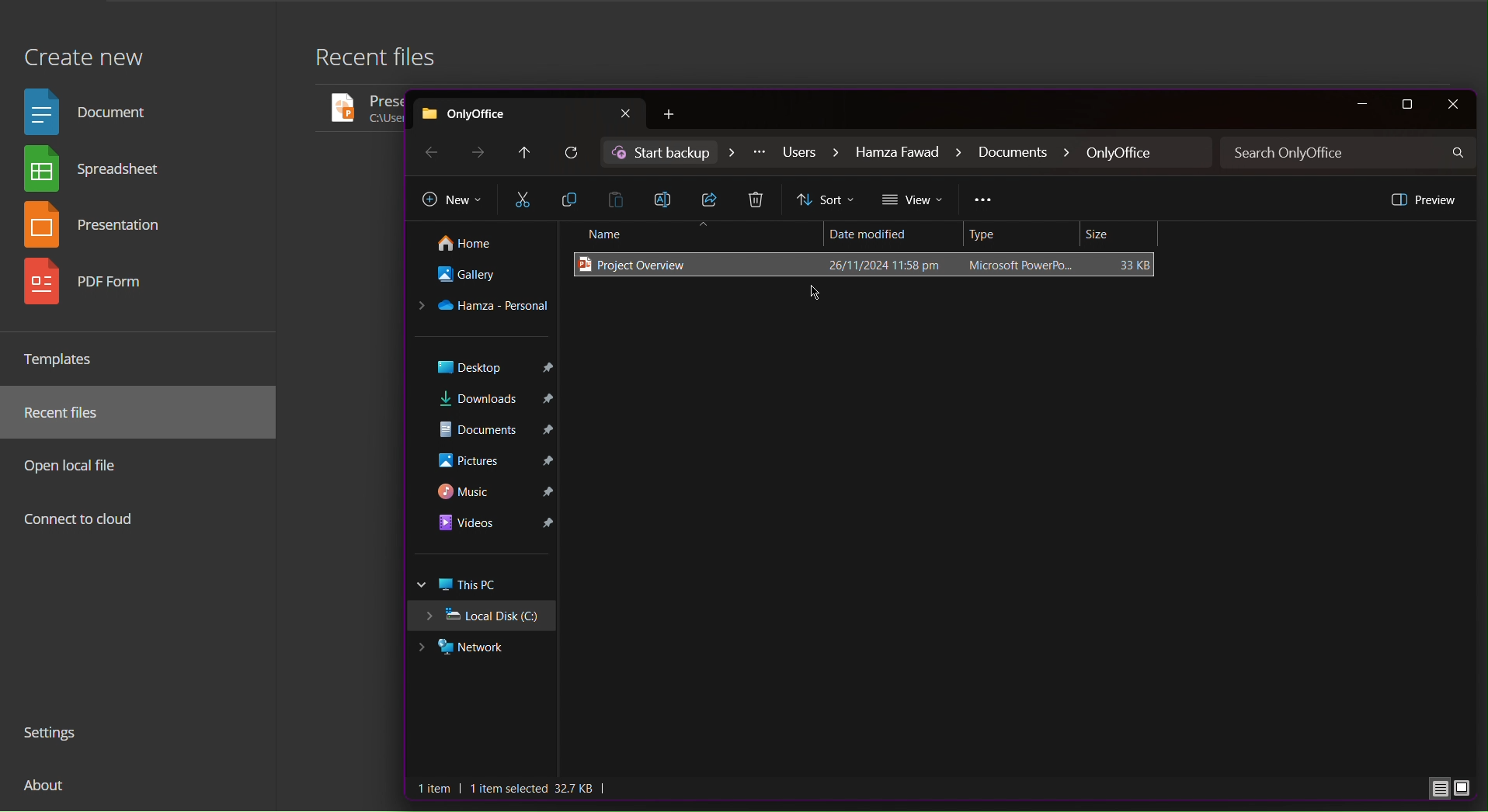 The image size is (1488, 812). I want to click on Maximize, so click(1410, 105).